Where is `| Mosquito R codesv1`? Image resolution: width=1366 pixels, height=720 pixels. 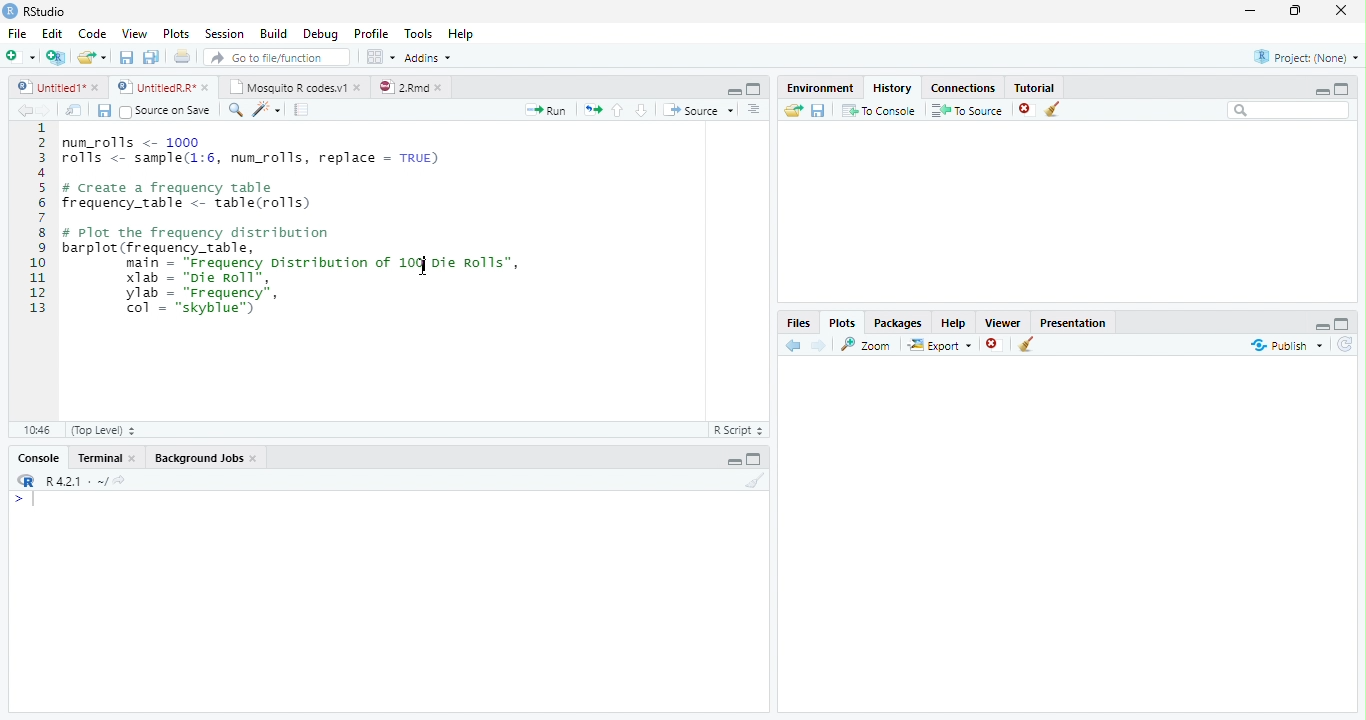 | Mosquito R codesv1 is located at coordinates (294, 87).